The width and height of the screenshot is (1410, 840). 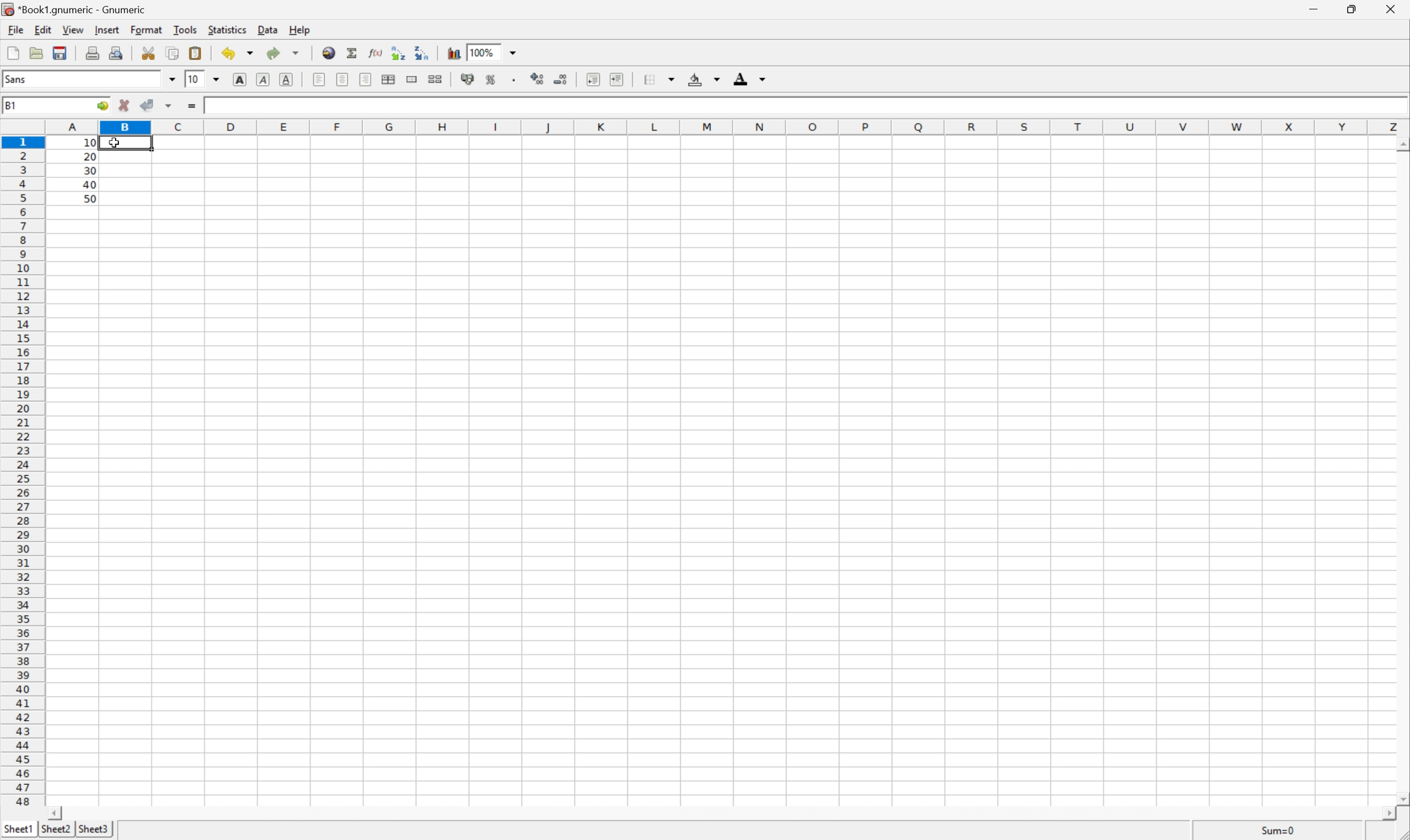 What do you see at coordinates (147, 29) in the screenshot?
I see `Format` at bounding box center [147, 29].